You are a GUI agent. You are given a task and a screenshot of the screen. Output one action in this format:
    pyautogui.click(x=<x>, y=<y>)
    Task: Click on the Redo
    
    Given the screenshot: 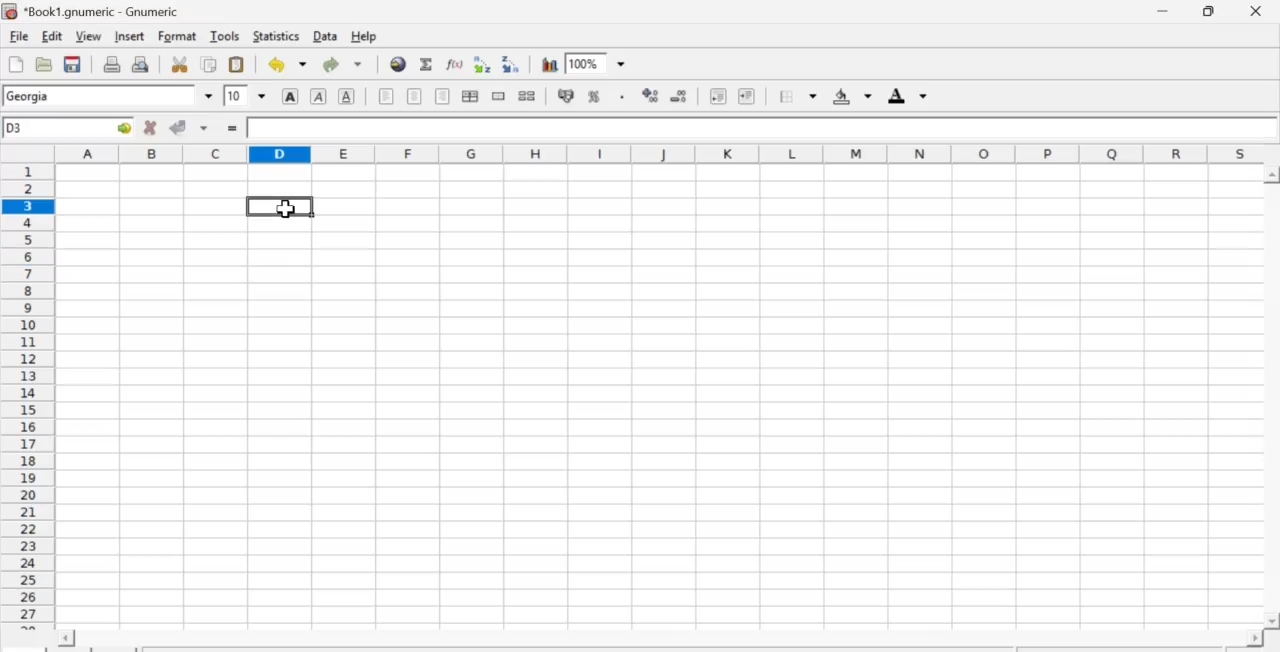 What is the action you would take?
    pyautogui.click(x=346, y=64)
    